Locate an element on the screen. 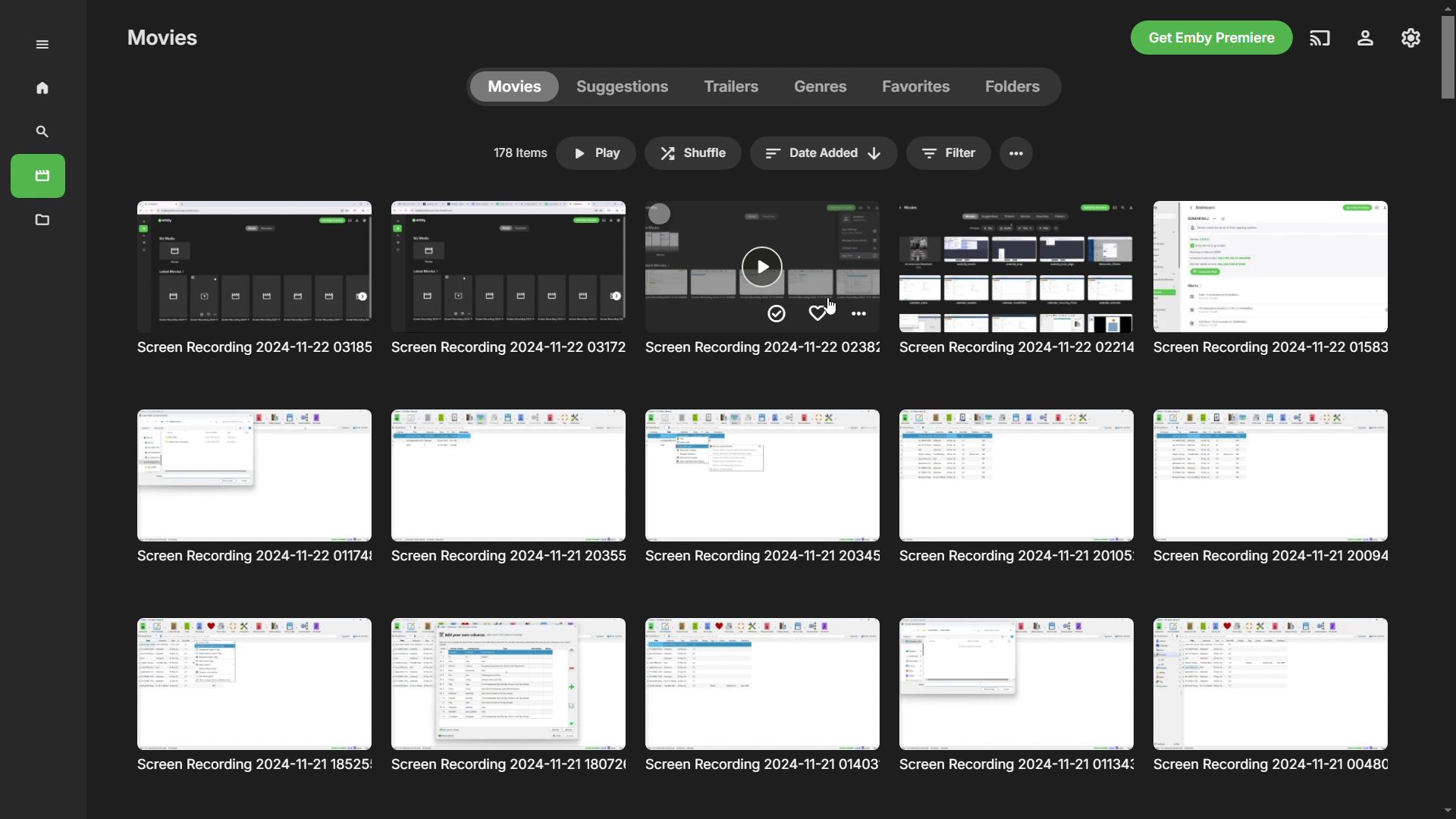   is located at coordinates (762, 281).